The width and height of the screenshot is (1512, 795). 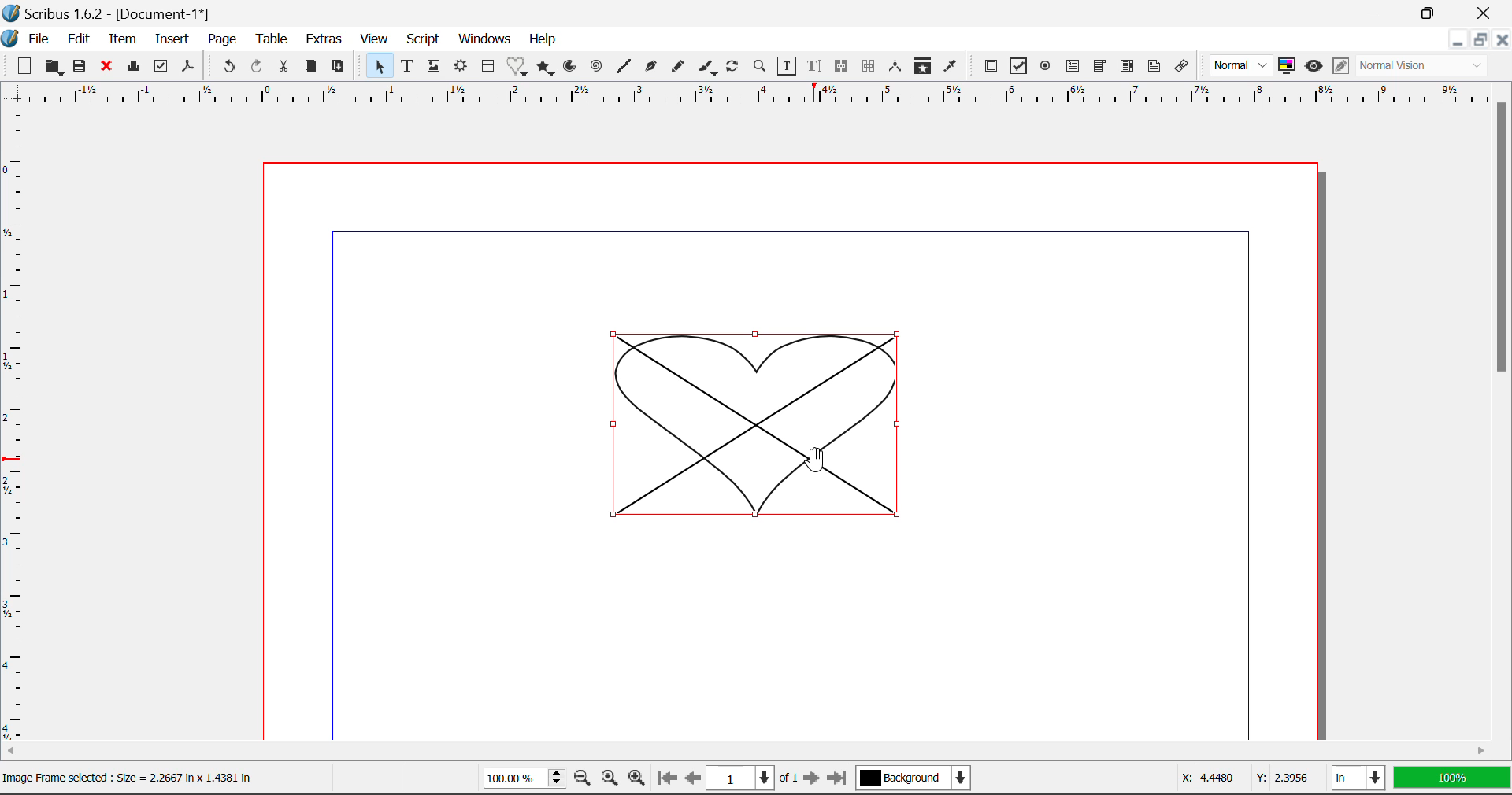 What do you see at coordinates (1503, 407) in the screenshot?
I see `Scroll Bar` at bounding box center [1503, 407].